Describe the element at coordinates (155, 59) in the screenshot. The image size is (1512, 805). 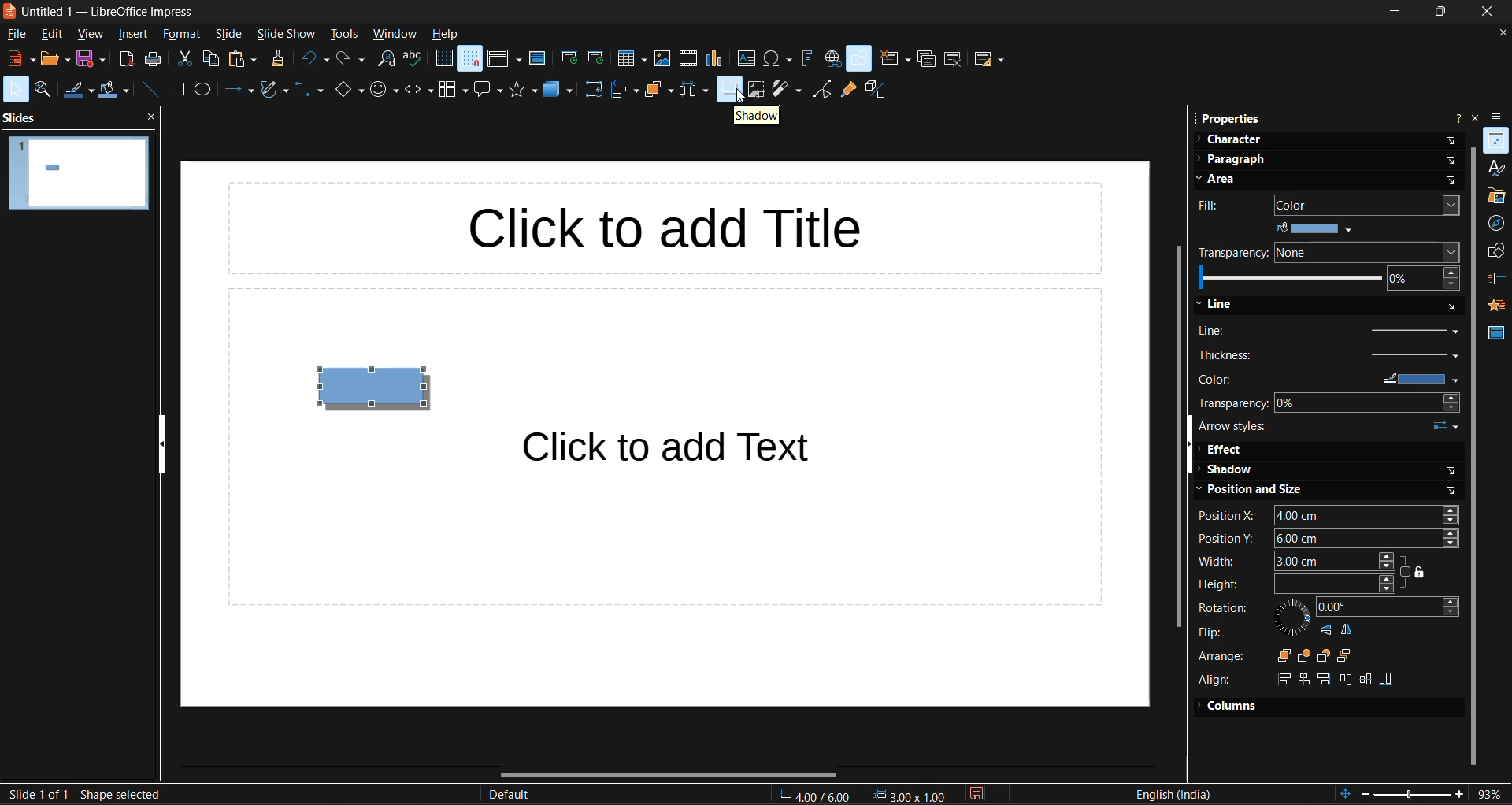
I see `print` at that location.